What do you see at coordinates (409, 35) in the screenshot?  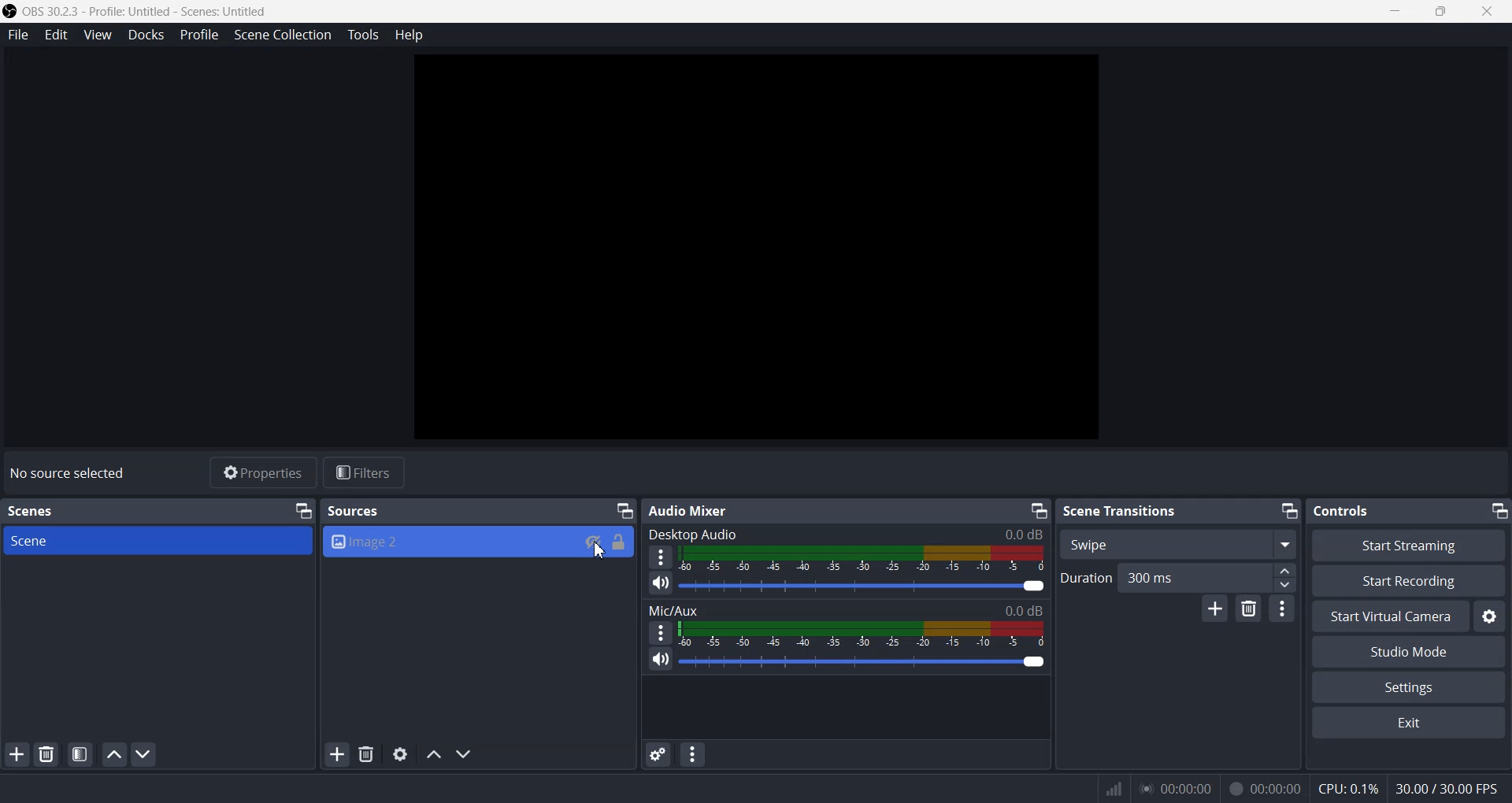 I see `Help` at bounding box center [409, 35].